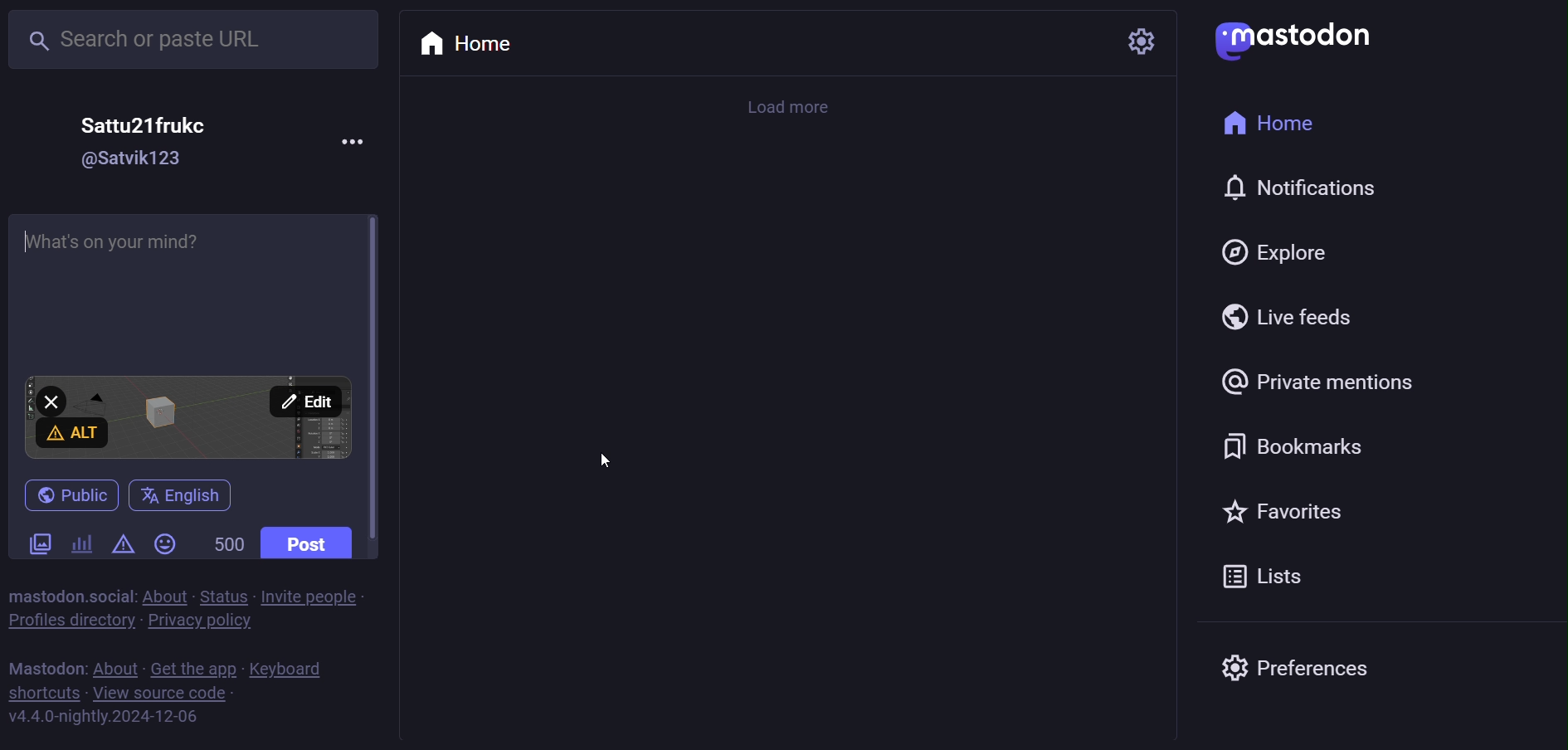 This screenshot has height=750, width=1568. Describe the element at coordinates (311, 545) in the screenshot. I see `post` at that location.